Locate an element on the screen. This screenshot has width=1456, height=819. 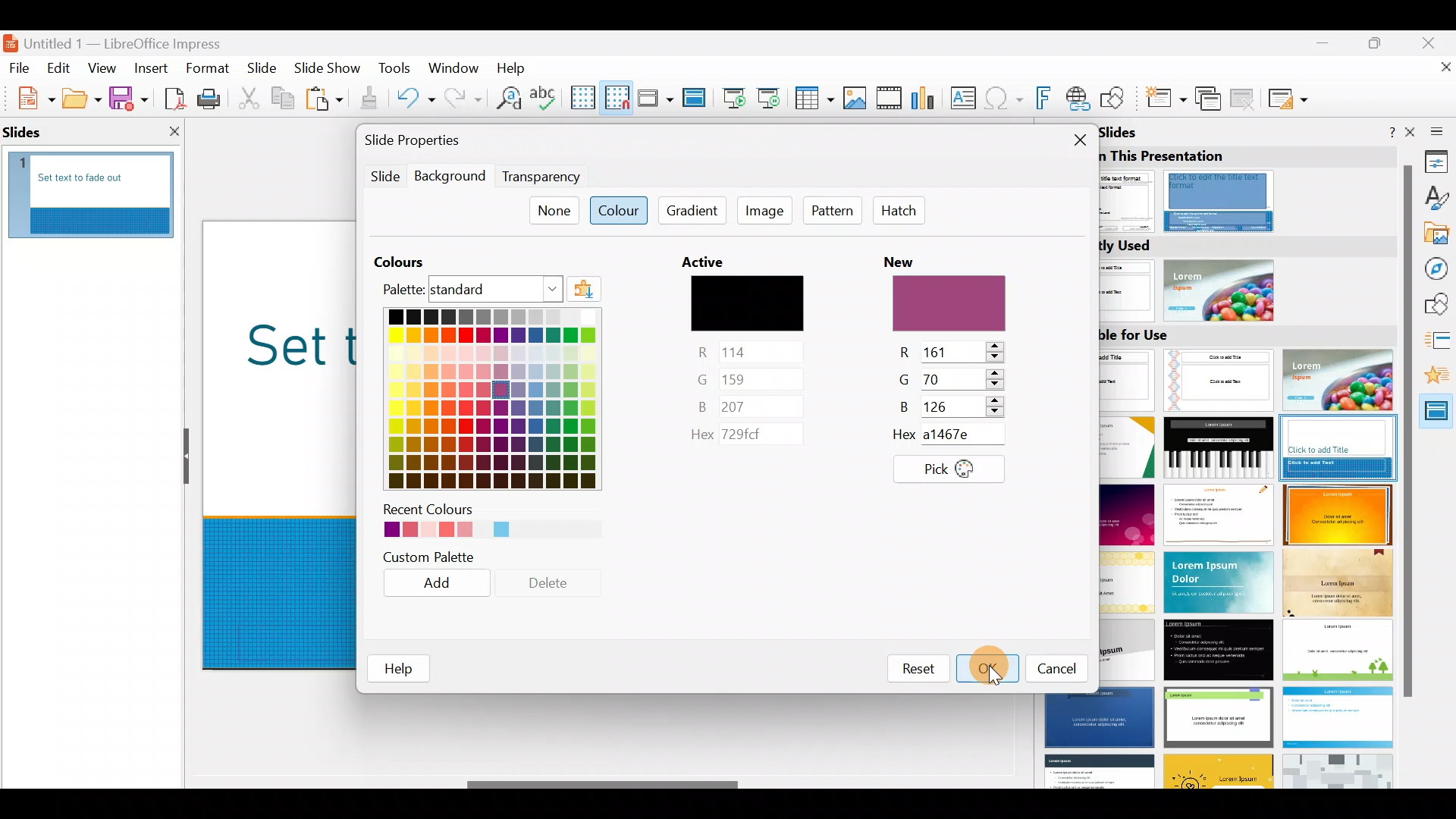
scroll bar is located at coordinates (1406, 430).